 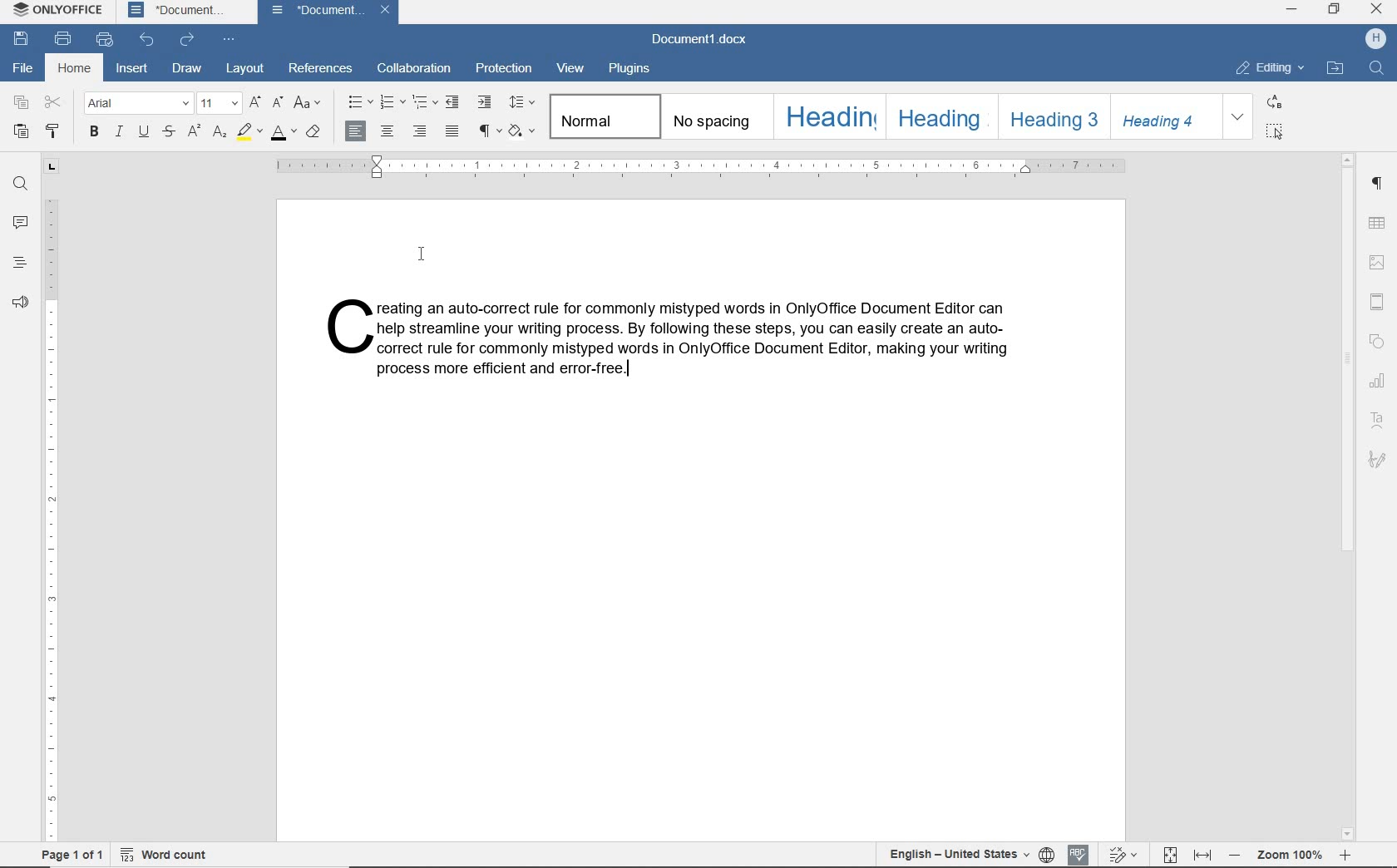 I want to click on BULLETS, so click(x=358, y=101).